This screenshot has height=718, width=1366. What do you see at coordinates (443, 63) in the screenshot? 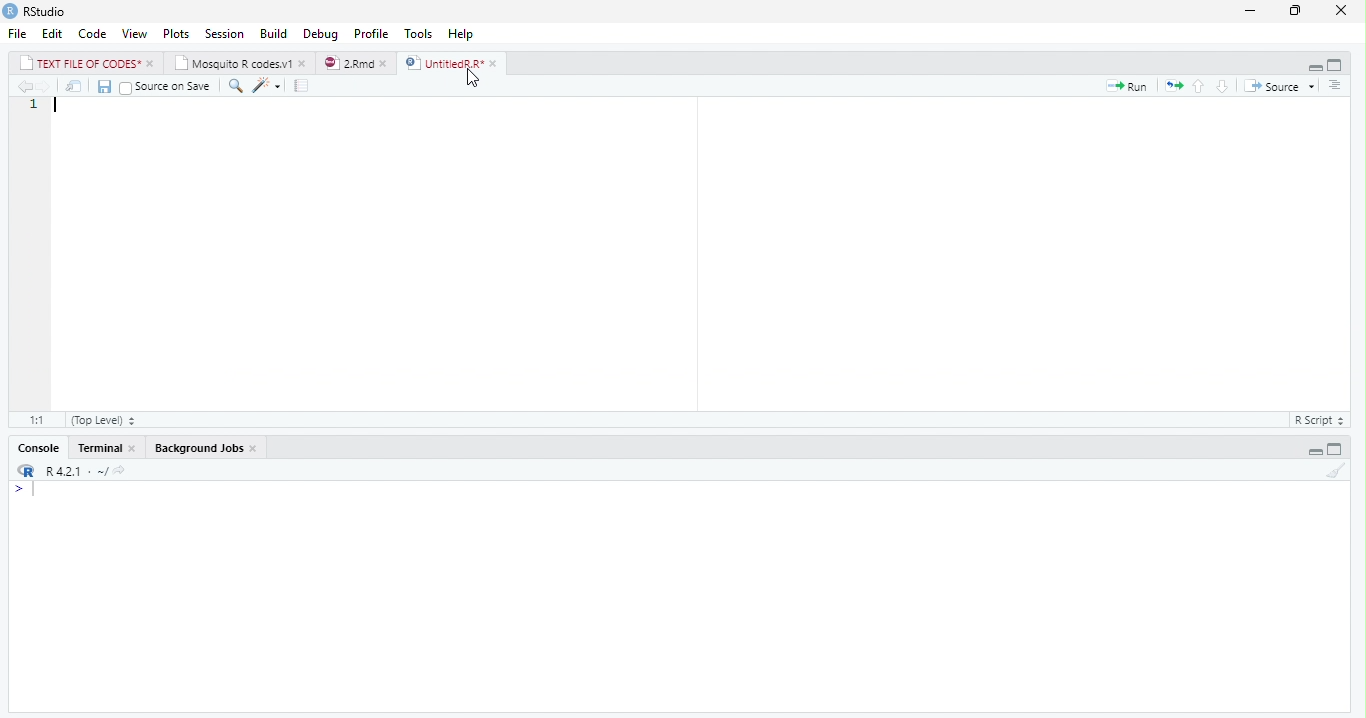
I see `UntitledR.R` at bounding box center [443, 63].